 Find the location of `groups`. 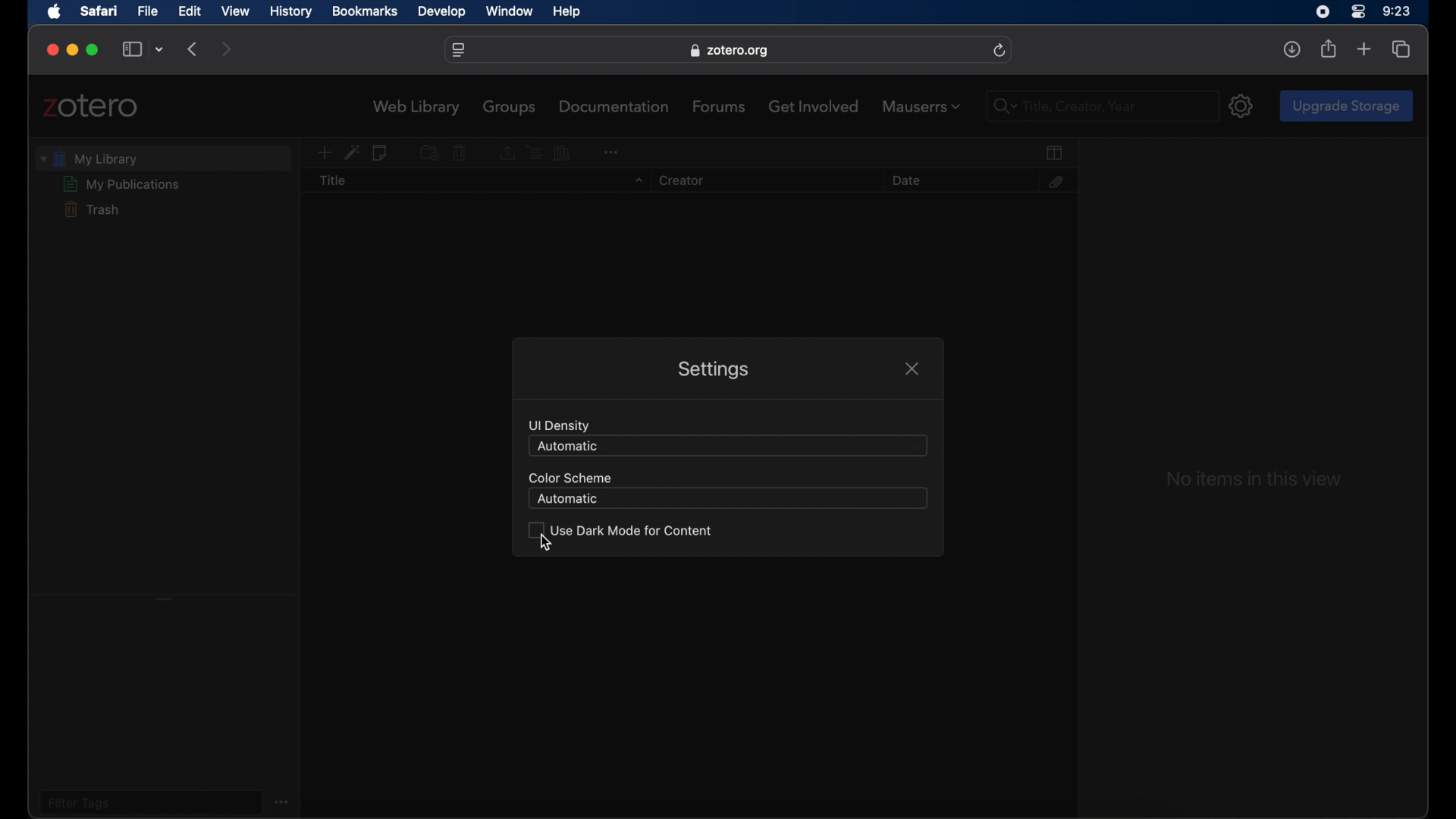

groups is located at coordinates (510, 107).